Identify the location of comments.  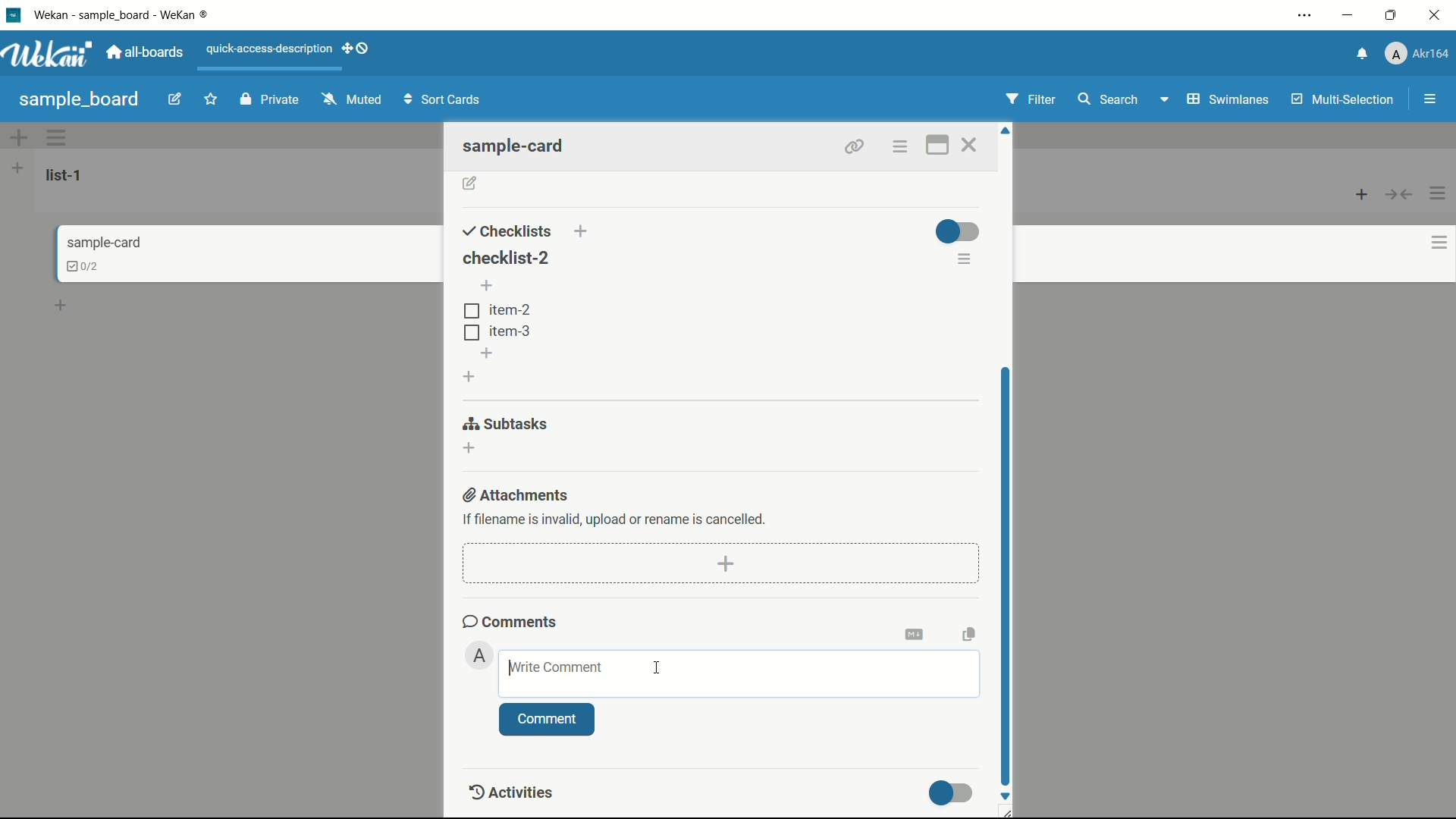
(510, 621).